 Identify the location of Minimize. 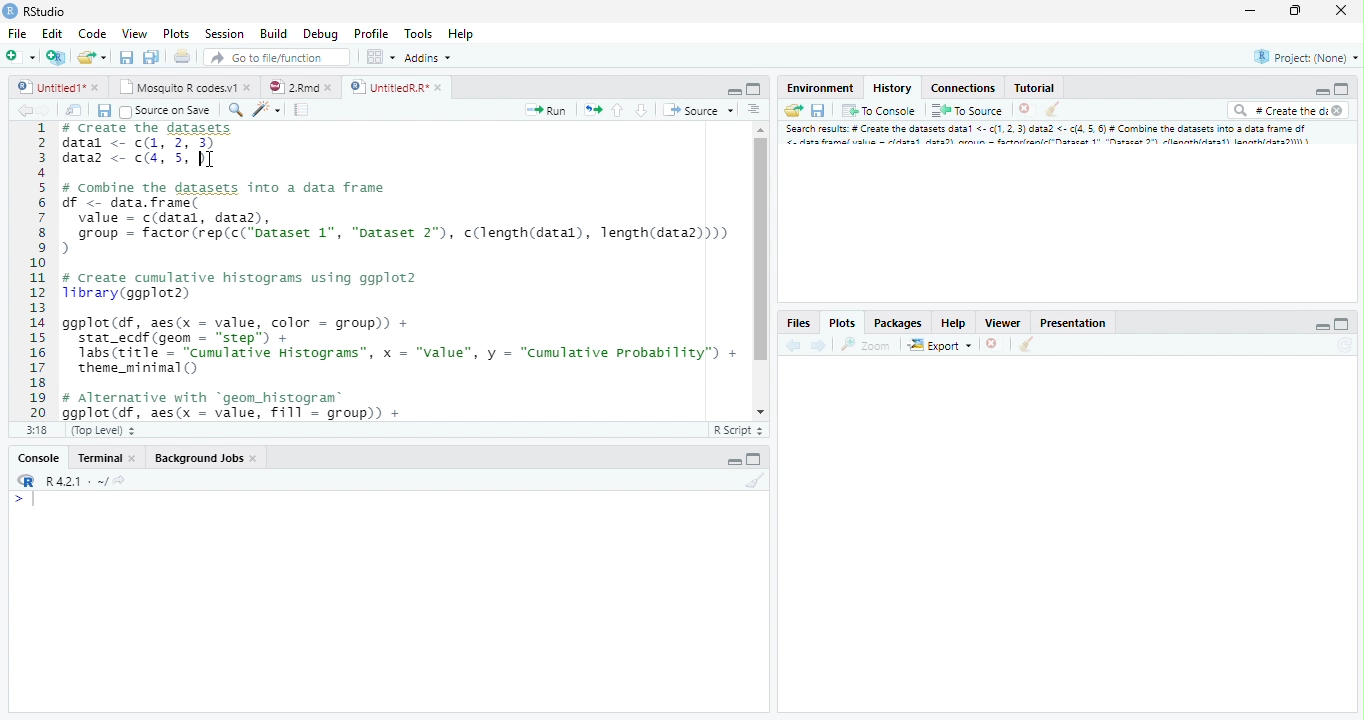
(733, 461).